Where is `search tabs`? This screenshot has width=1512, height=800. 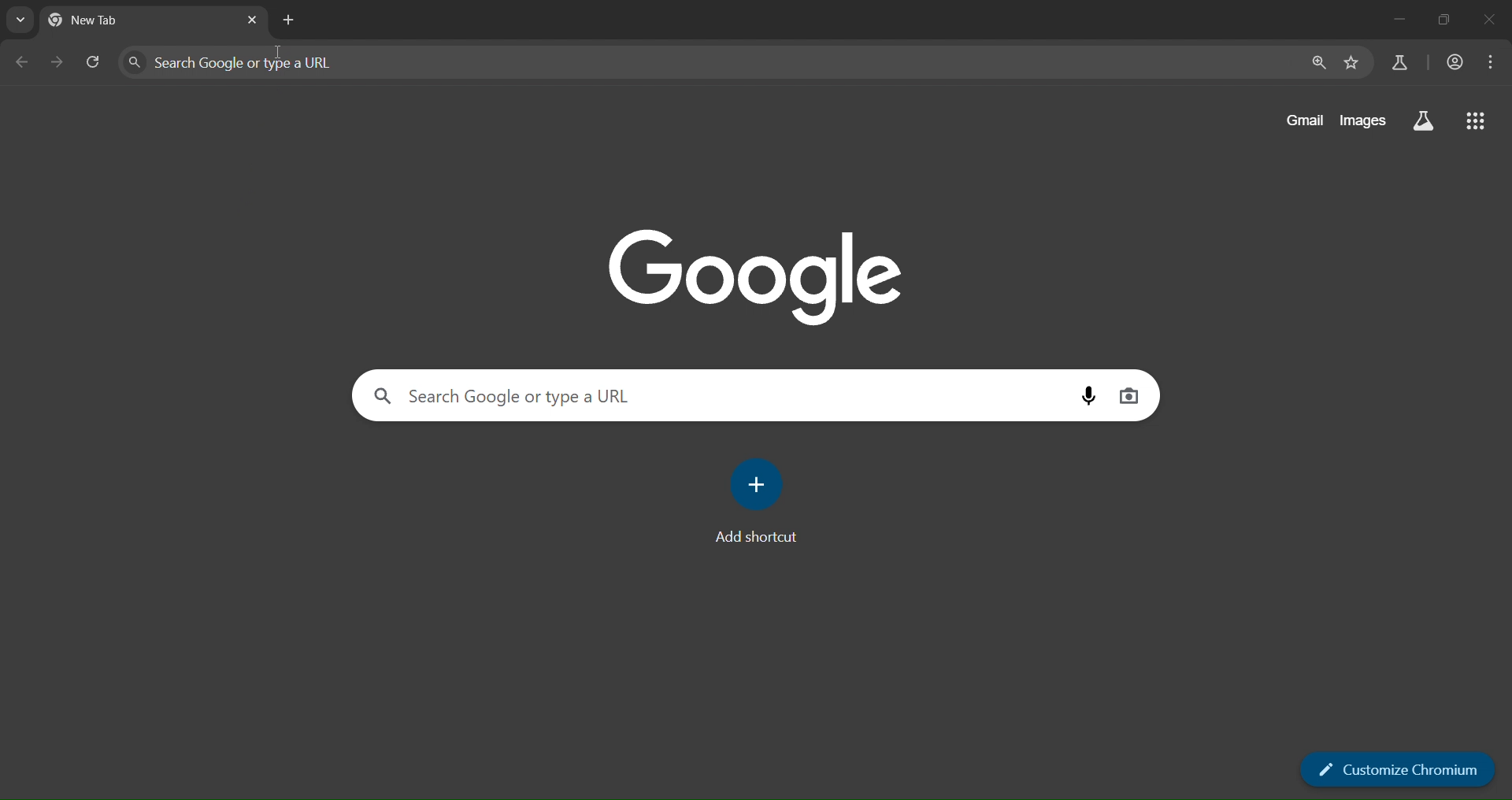 search tabs is located at coordinates (21, 20).